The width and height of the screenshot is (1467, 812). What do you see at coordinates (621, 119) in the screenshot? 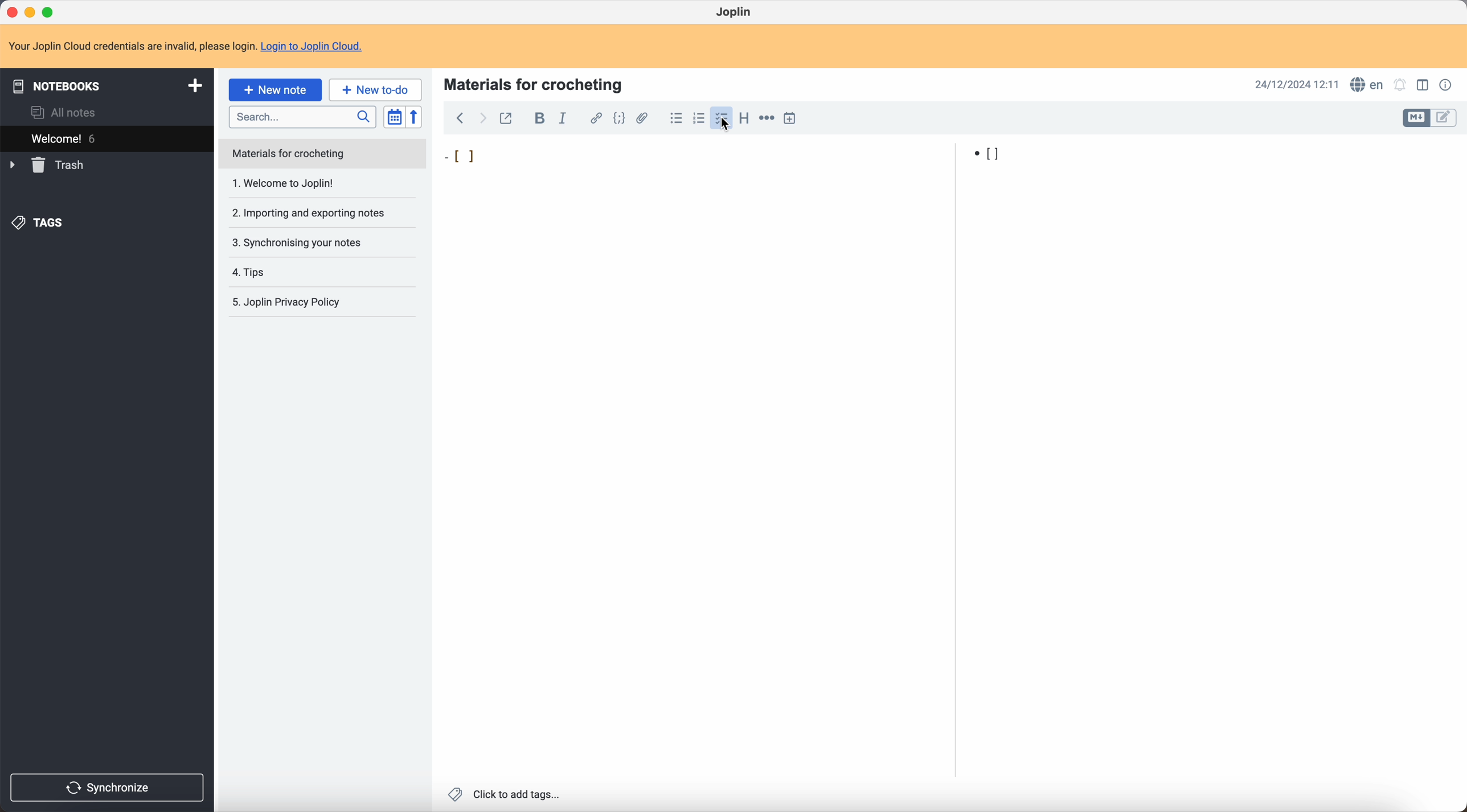
I see `code` at bounding box center [621, 119].